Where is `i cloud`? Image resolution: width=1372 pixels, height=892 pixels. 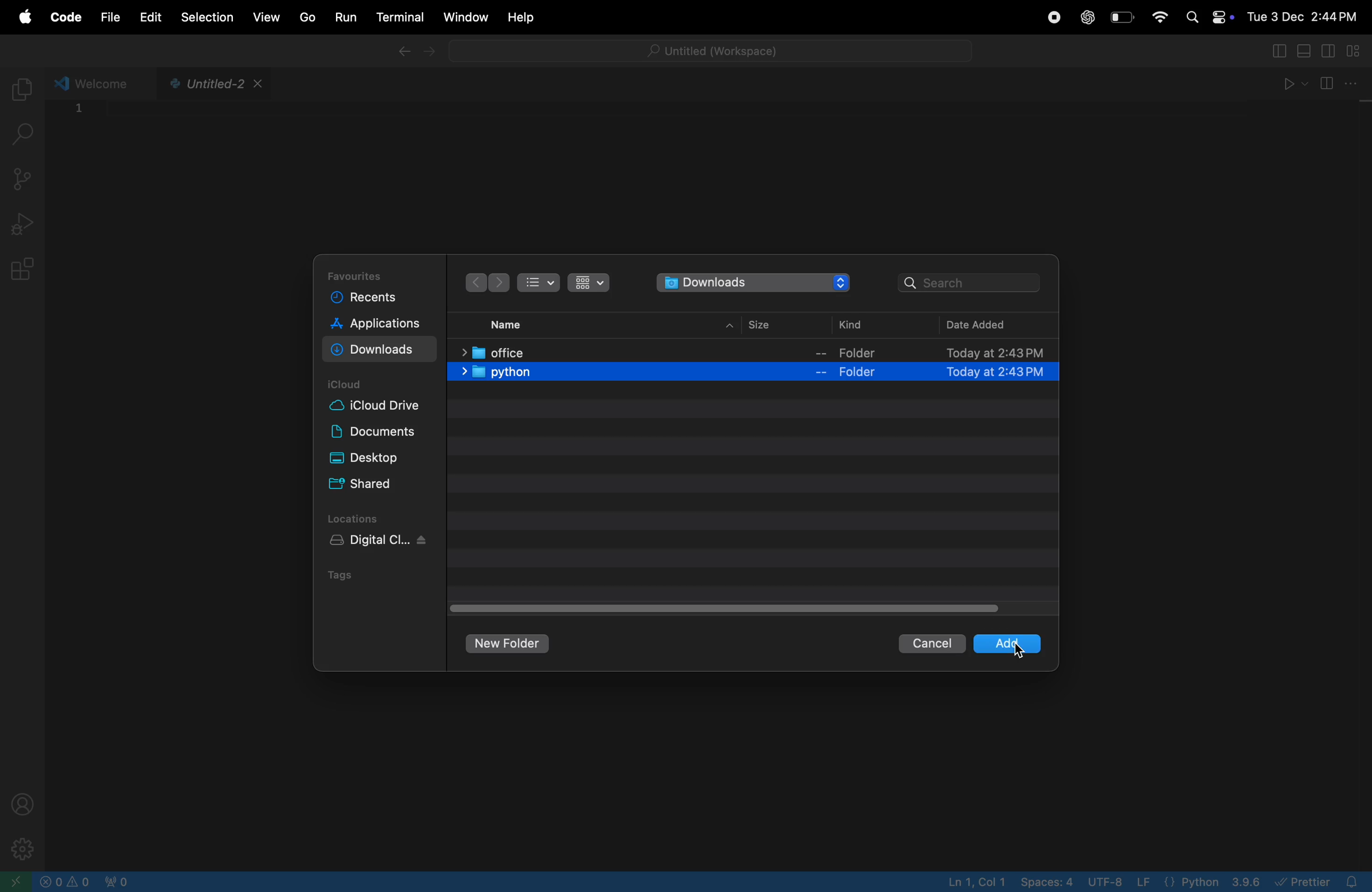 i cloud is located at coordinates (353, 384).